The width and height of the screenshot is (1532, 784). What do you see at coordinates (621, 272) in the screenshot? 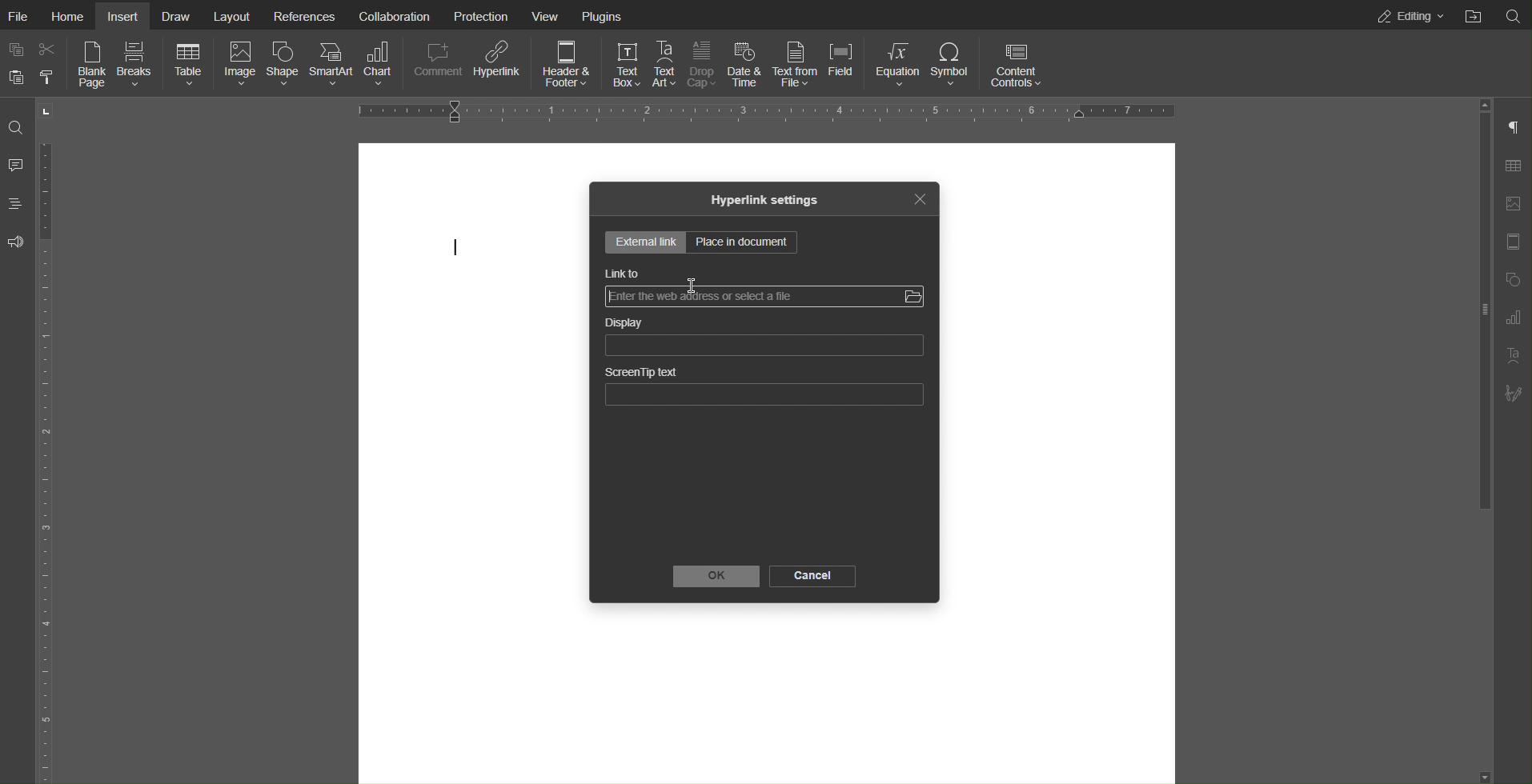
I see `Link to` at bounding box center [621, 272].